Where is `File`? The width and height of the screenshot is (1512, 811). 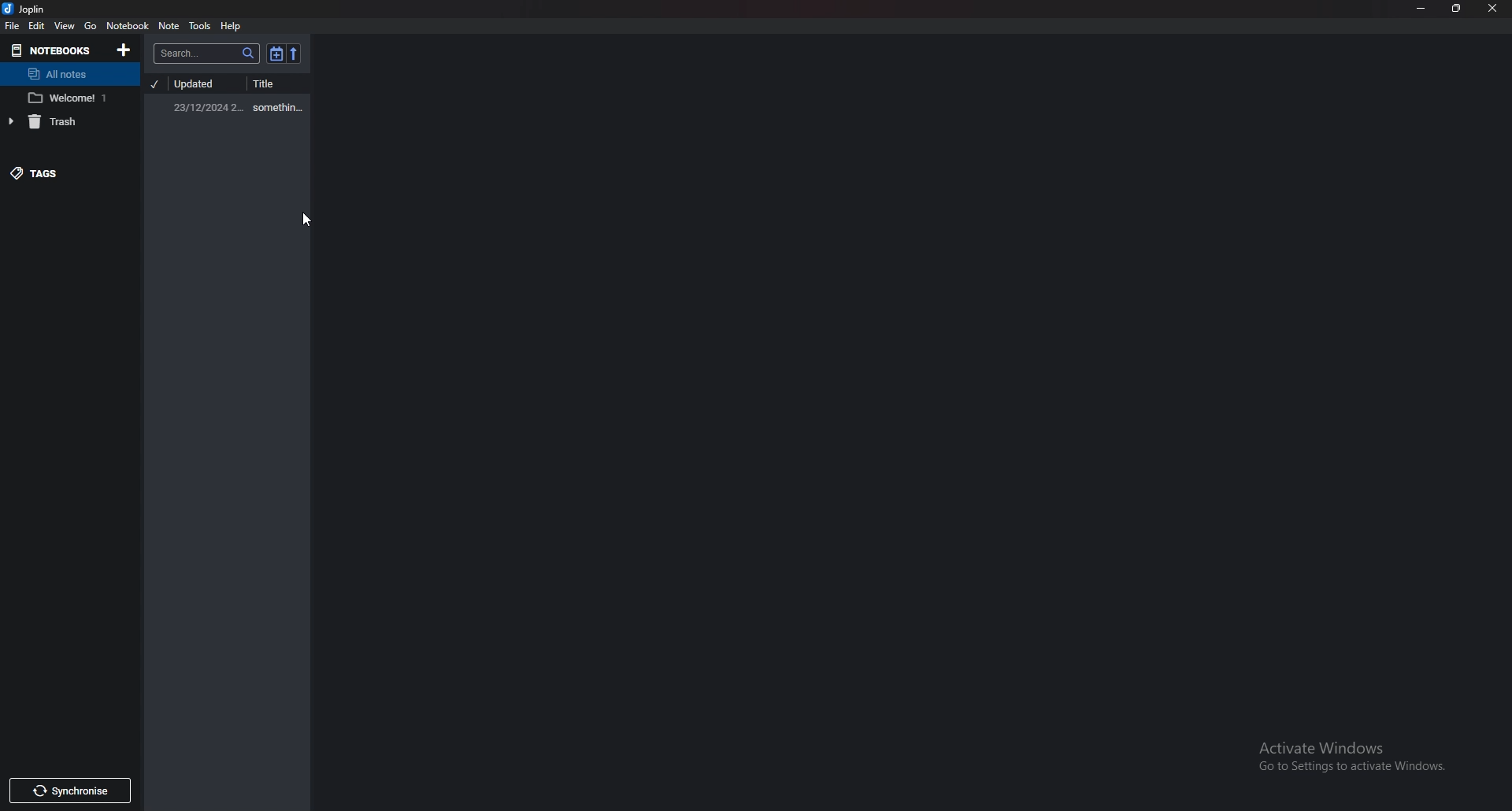
File is located at coordinates (12, 24).